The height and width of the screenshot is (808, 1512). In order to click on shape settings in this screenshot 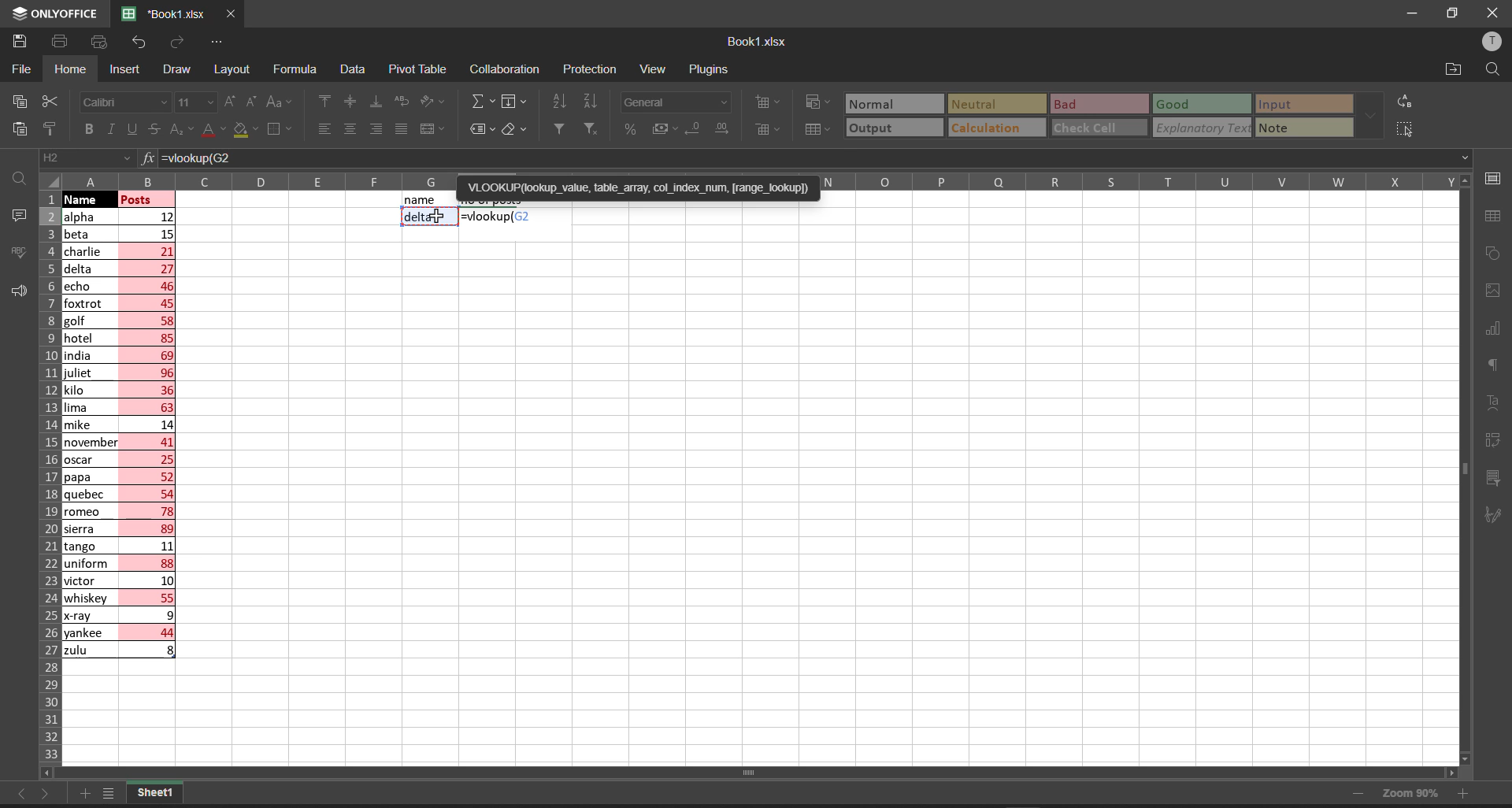, I will do `click(1496, 254)`.